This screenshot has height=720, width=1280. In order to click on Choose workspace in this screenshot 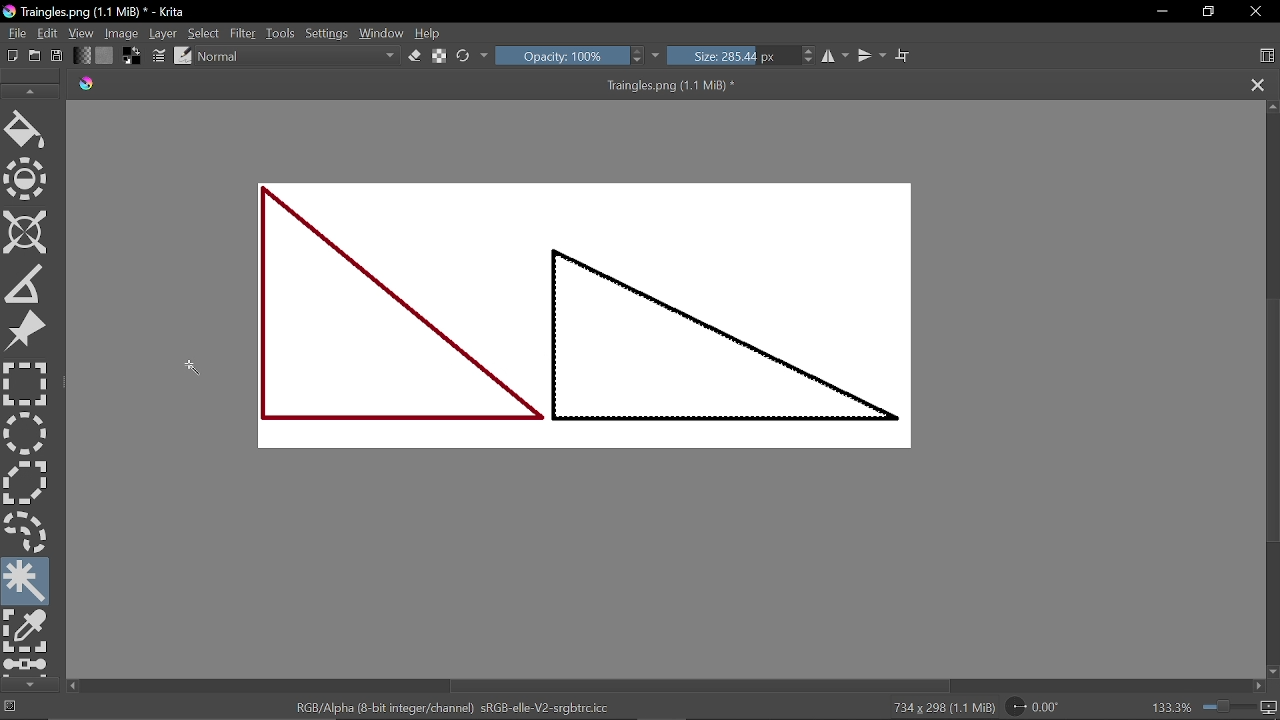, I will do `click(1269, 55)`.